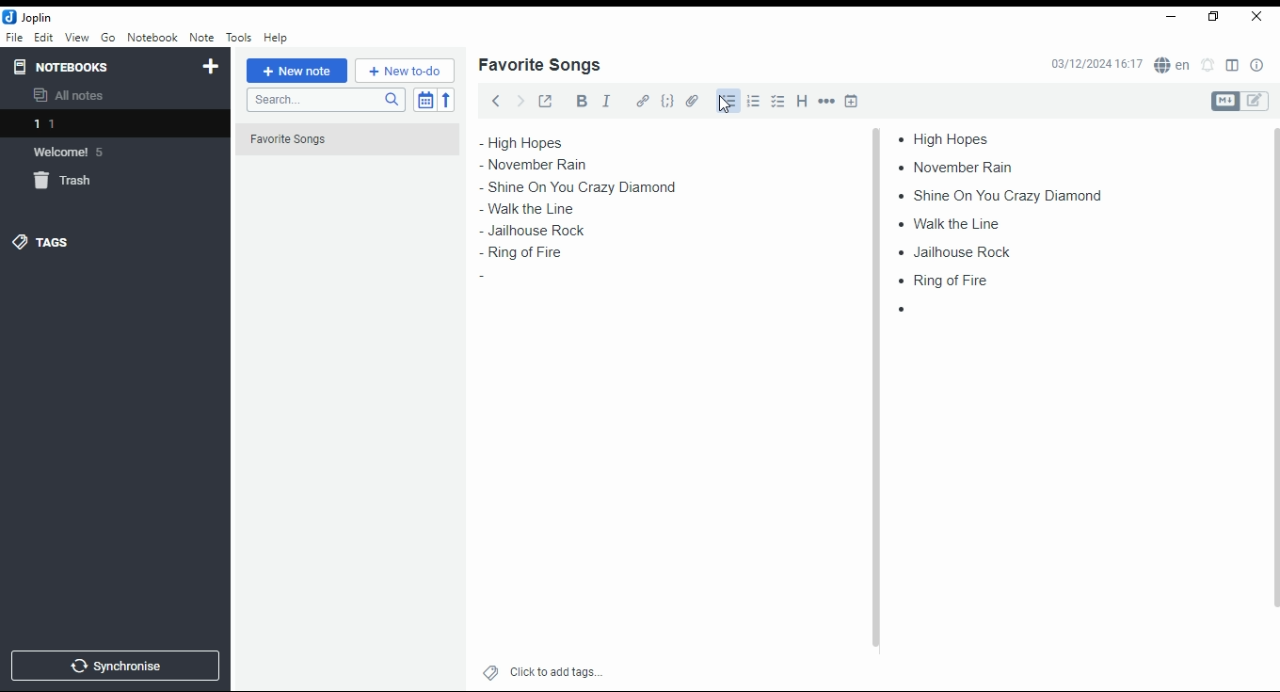  I want to click on note, so click(201, 37).